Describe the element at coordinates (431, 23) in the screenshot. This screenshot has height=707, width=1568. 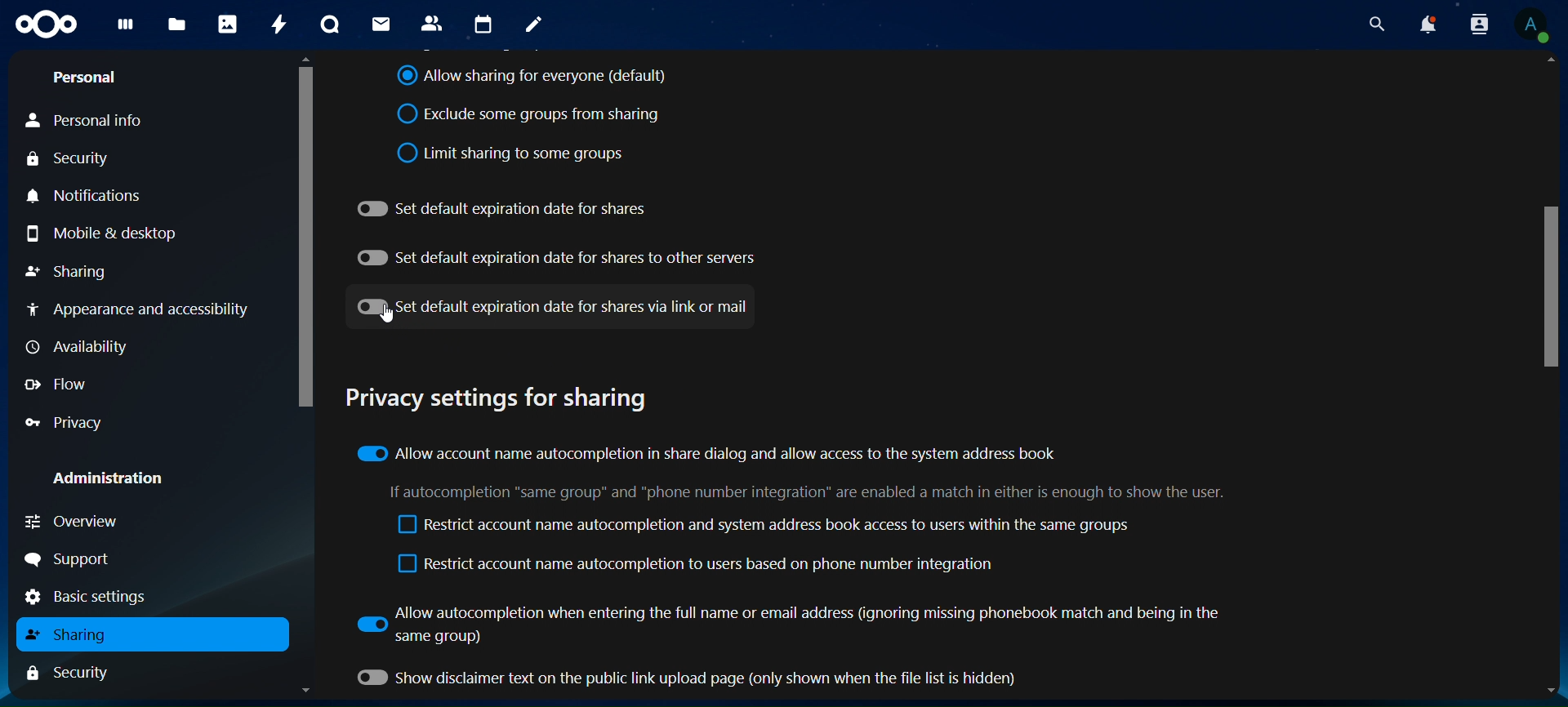
I see `contacts` at that location.